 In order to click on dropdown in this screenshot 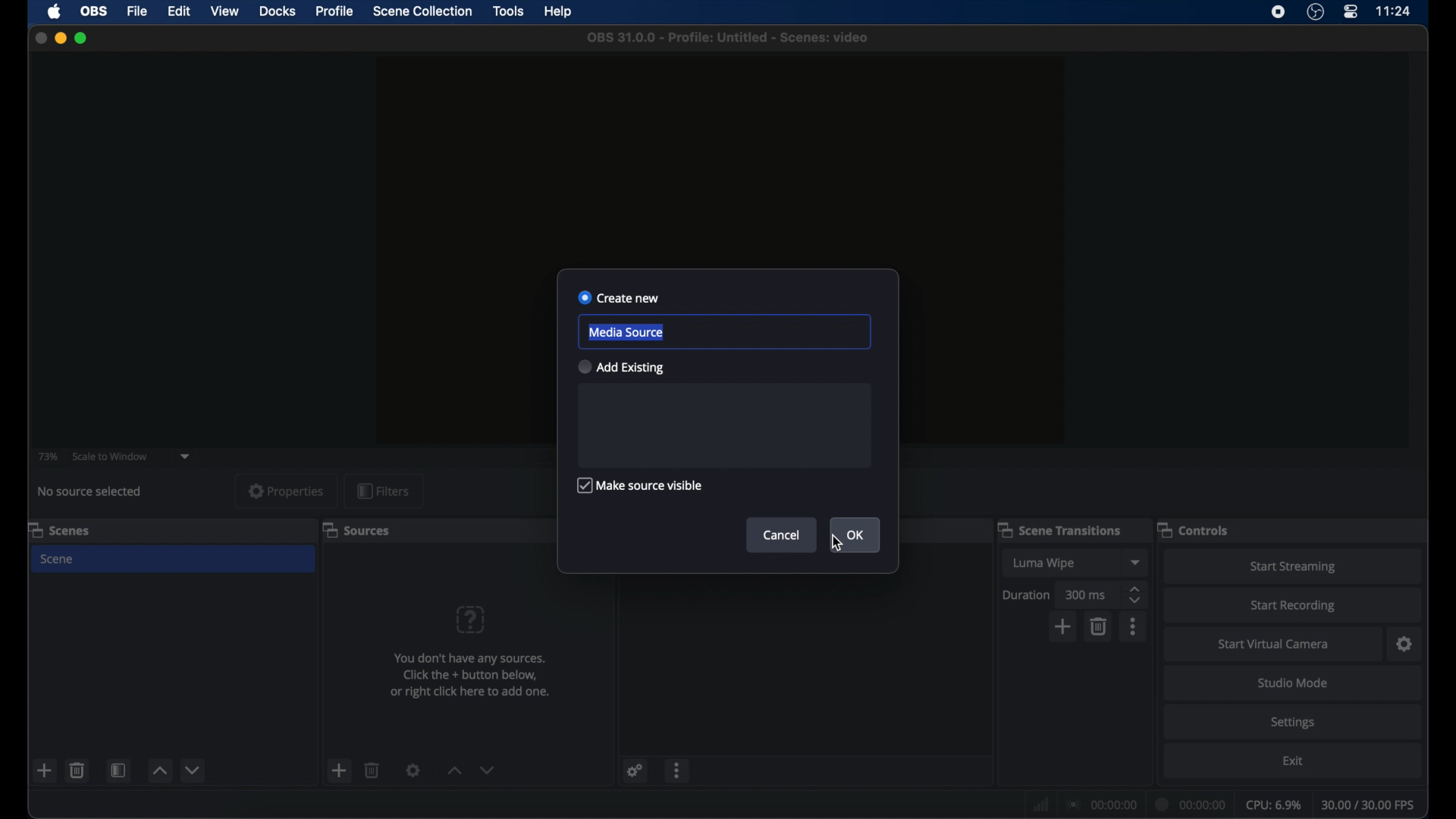, I will do `click(1137, 562)`.